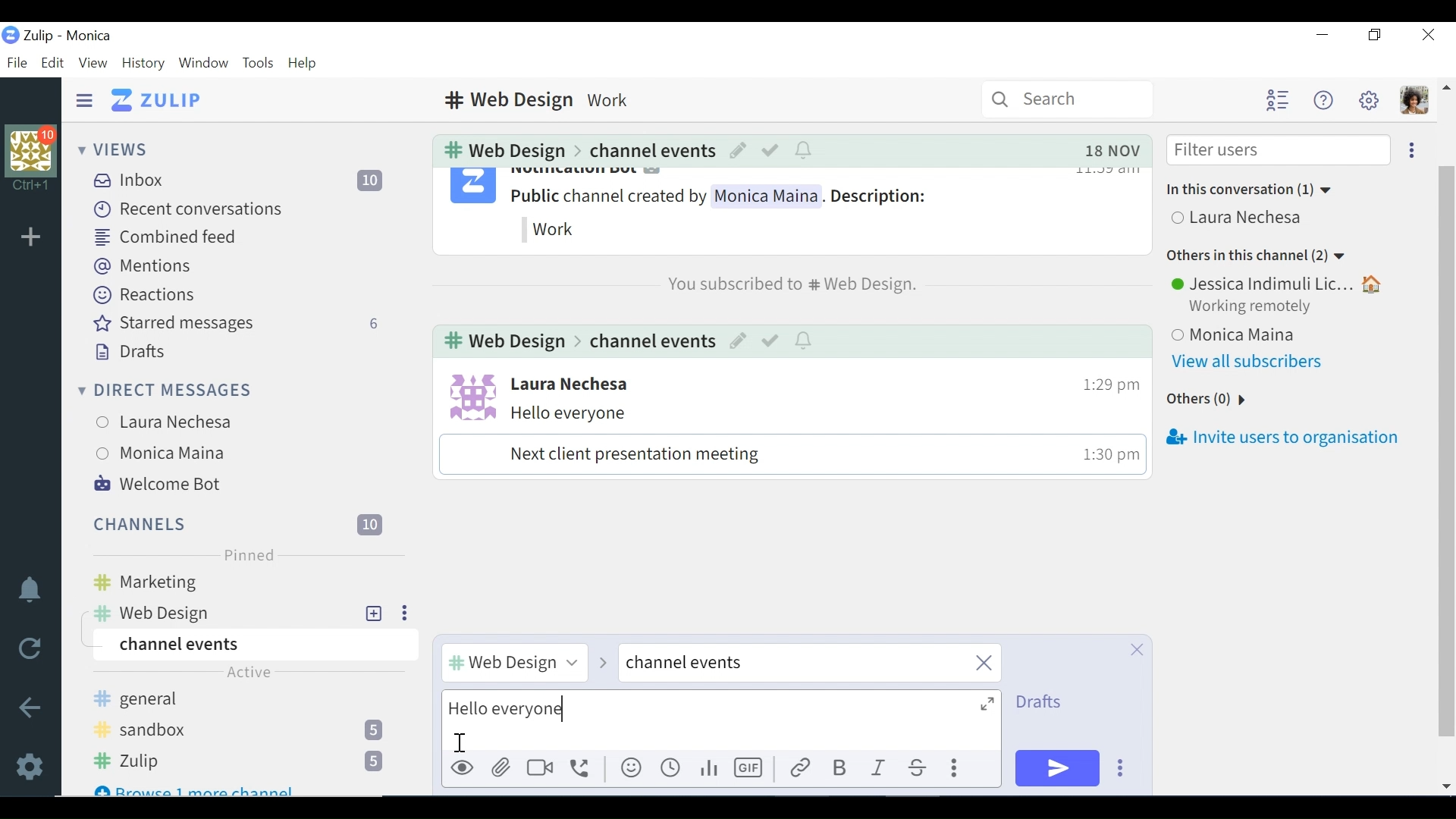 The image size is (1456, 819). Describe the element at coordinates (235, 522) in the screenshot. I see `Channels menu` at that location.